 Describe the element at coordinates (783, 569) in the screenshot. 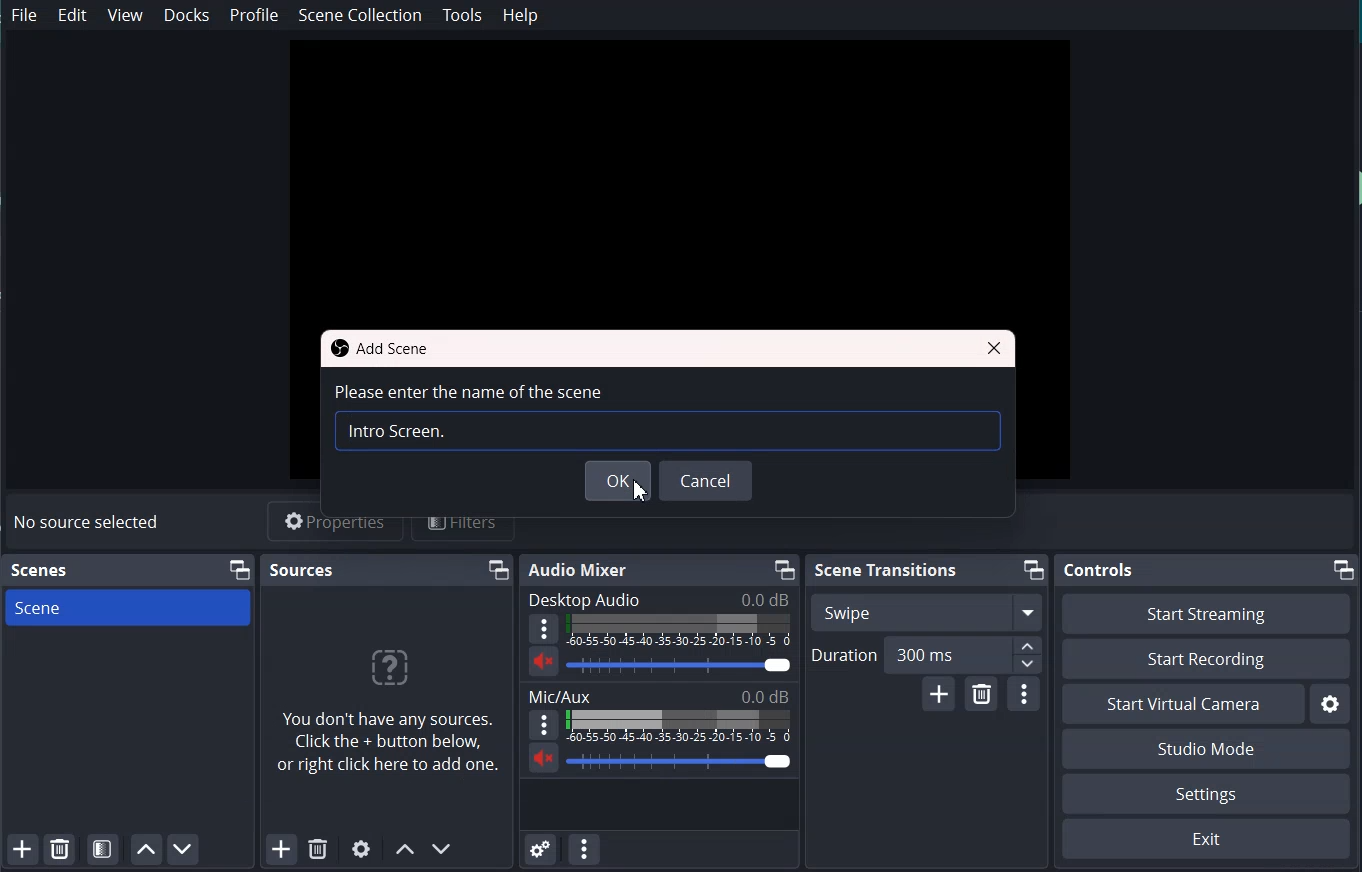

I see `Maximize` at that location.